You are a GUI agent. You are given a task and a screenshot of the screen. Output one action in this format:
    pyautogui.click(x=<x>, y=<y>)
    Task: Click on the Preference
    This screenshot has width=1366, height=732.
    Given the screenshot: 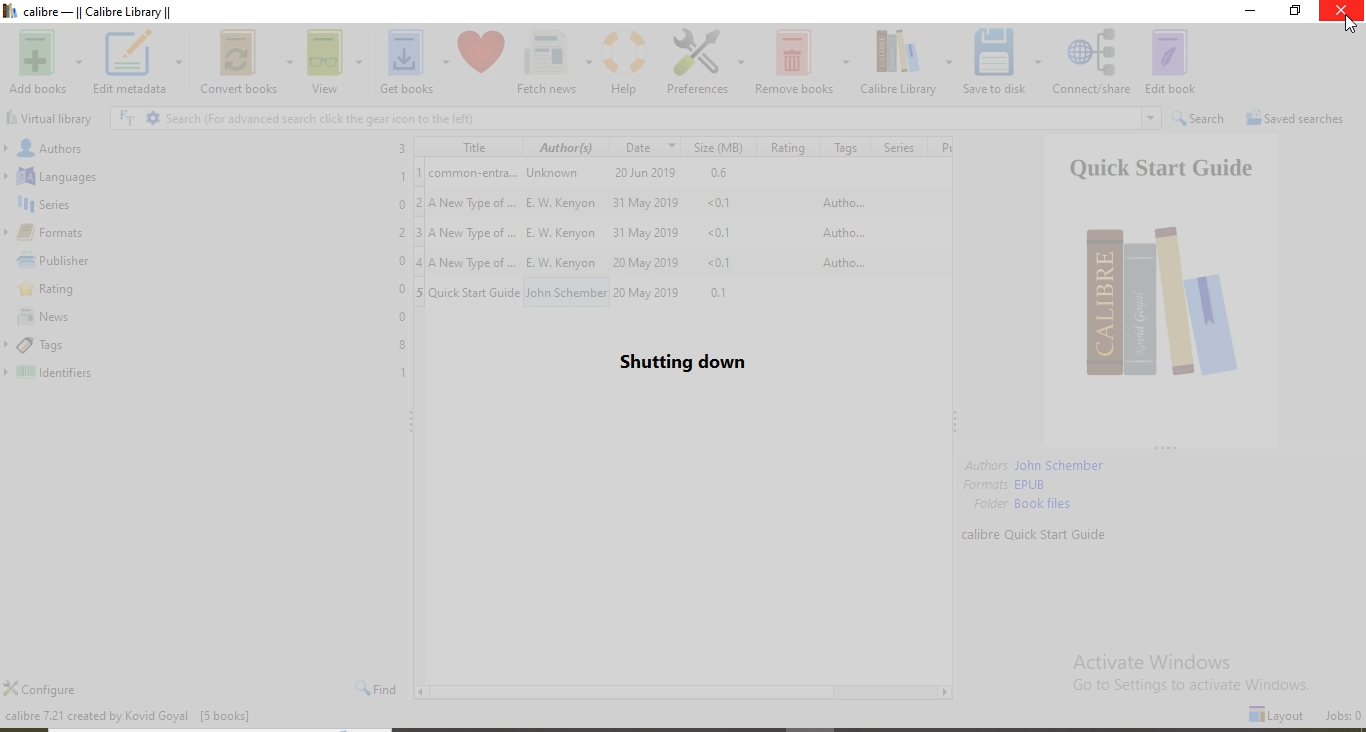 What is the action you would take?
    pyautogui.click(x=705, y=63)
    